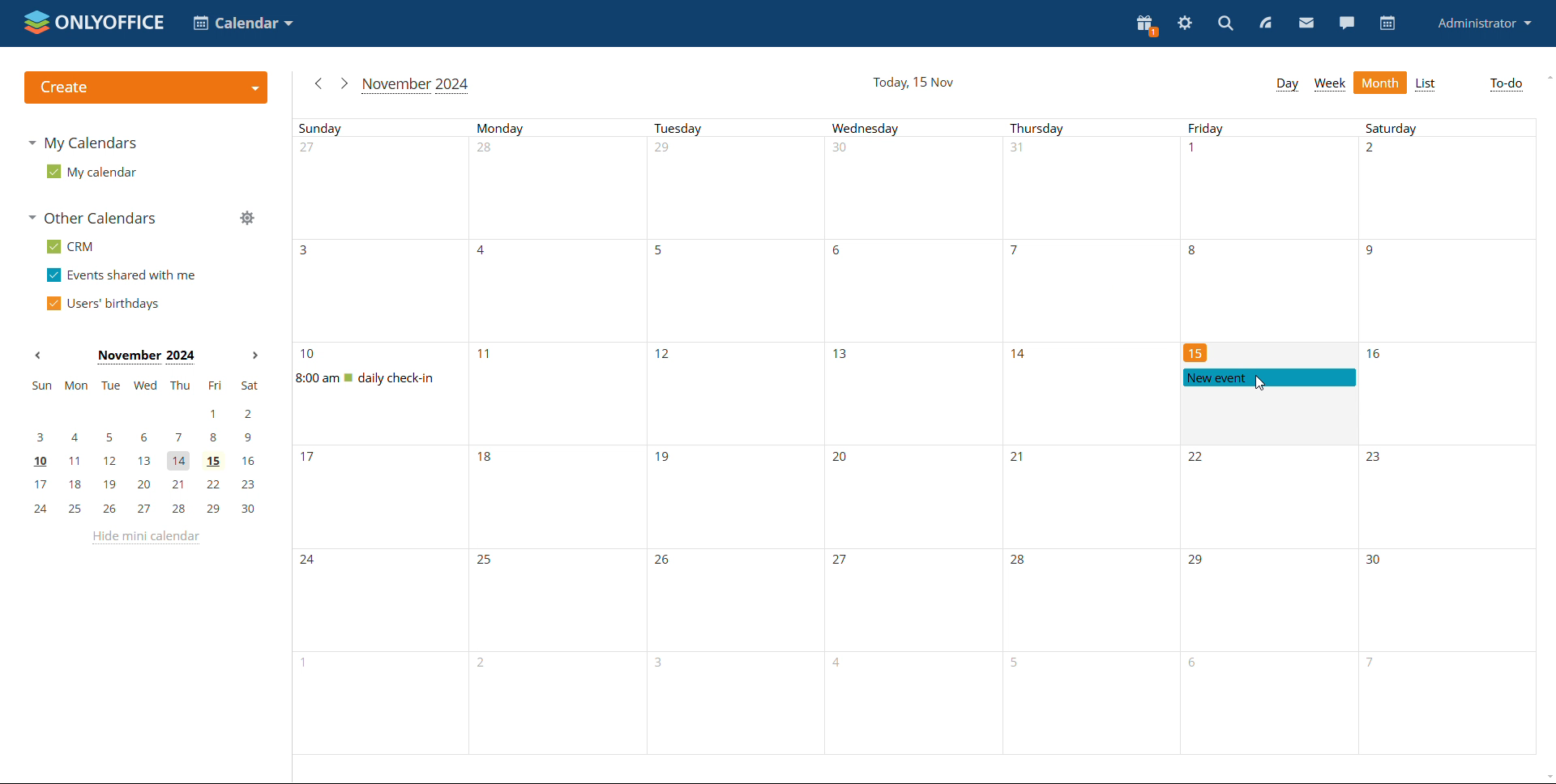 The height and width of the screenshot is (784, 1556). Describe the element at coordinates (145, 387) in the screenshot. I see `sun, mon, tue, wed, thu, fri, sat` at that location.